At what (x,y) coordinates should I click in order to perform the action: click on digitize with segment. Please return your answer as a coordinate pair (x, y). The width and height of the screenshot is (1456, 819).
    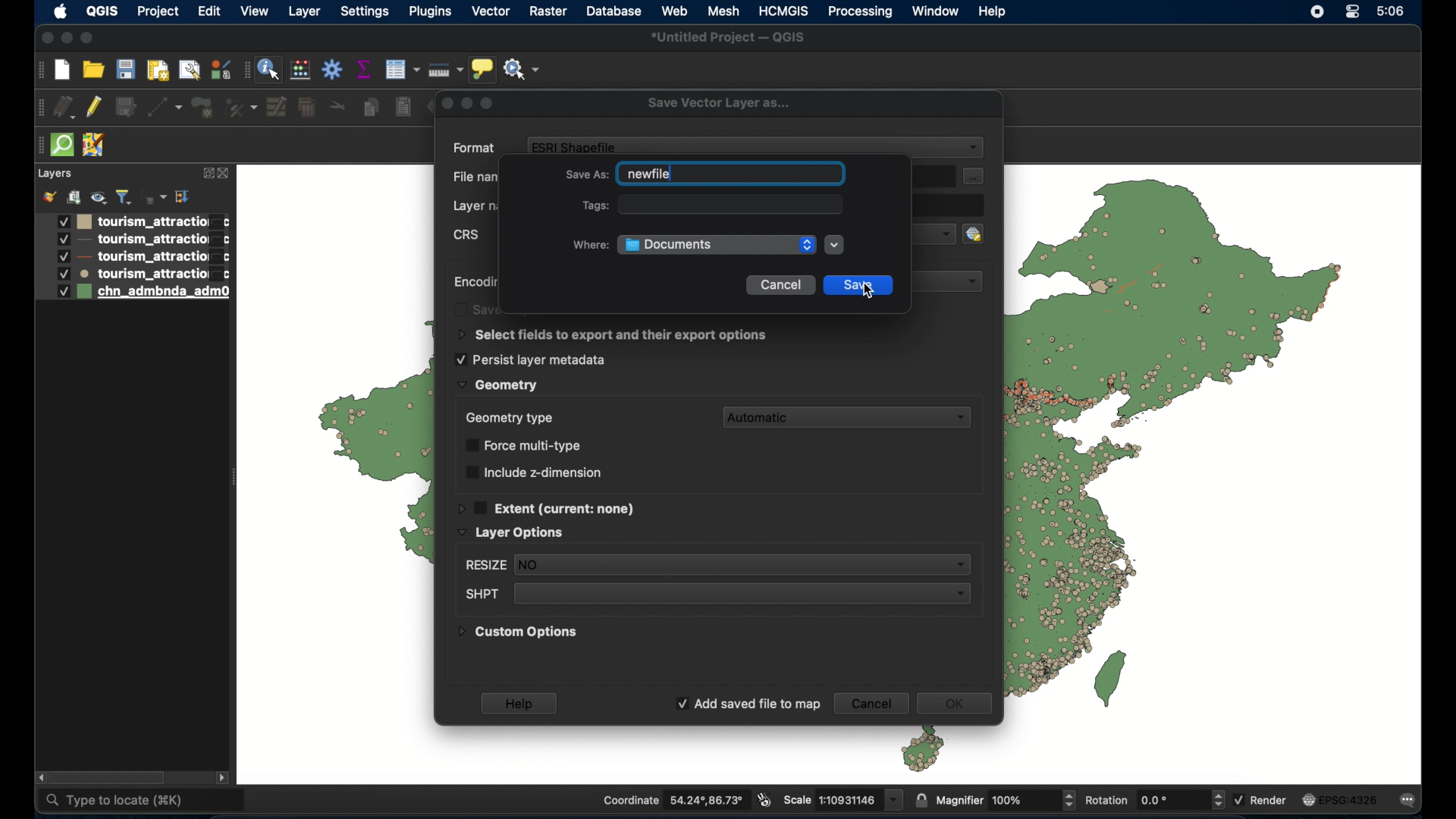
    Looking at the image, I should click on (165, 108).